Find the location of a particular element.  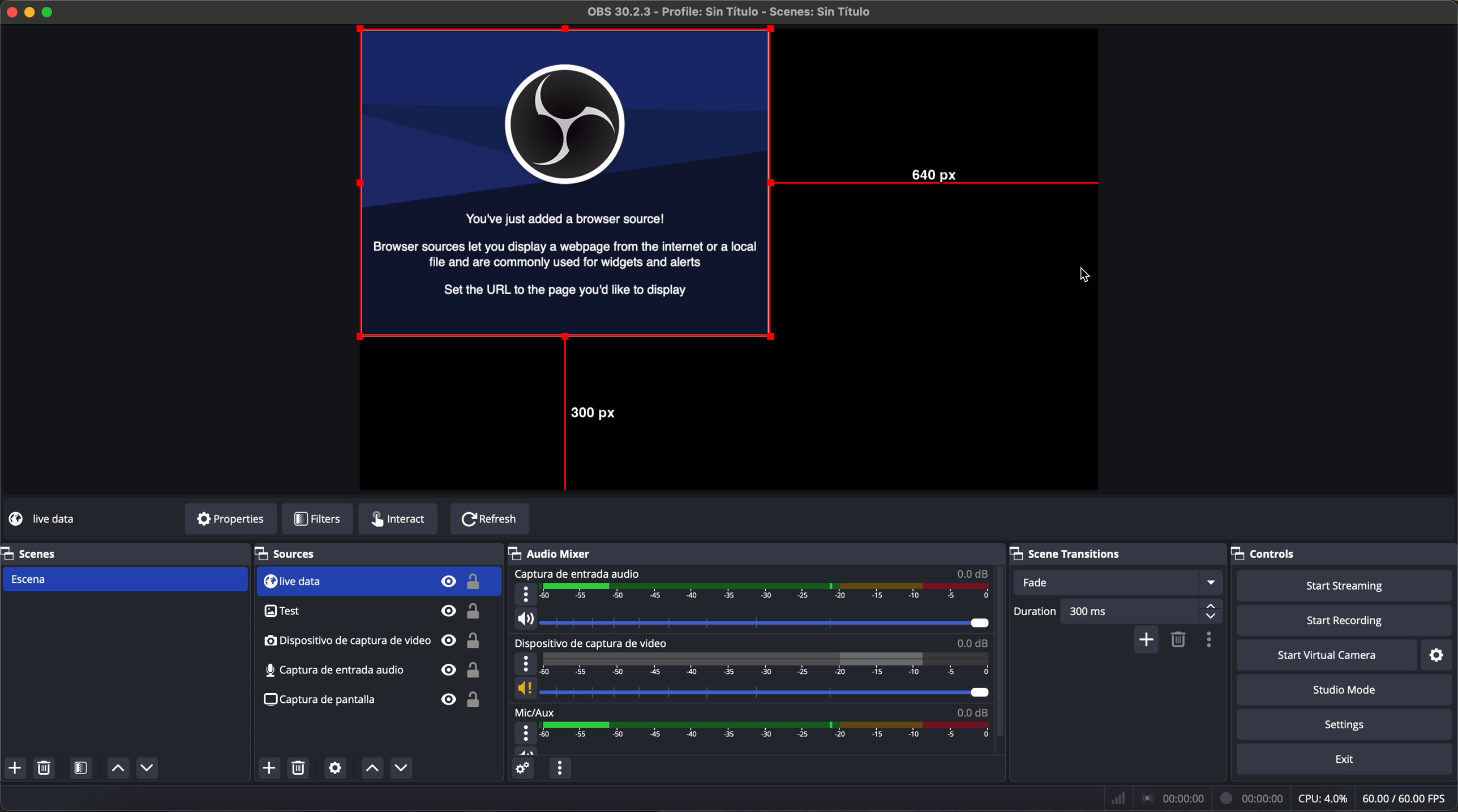

interact button is located at coordinates (400, 521).